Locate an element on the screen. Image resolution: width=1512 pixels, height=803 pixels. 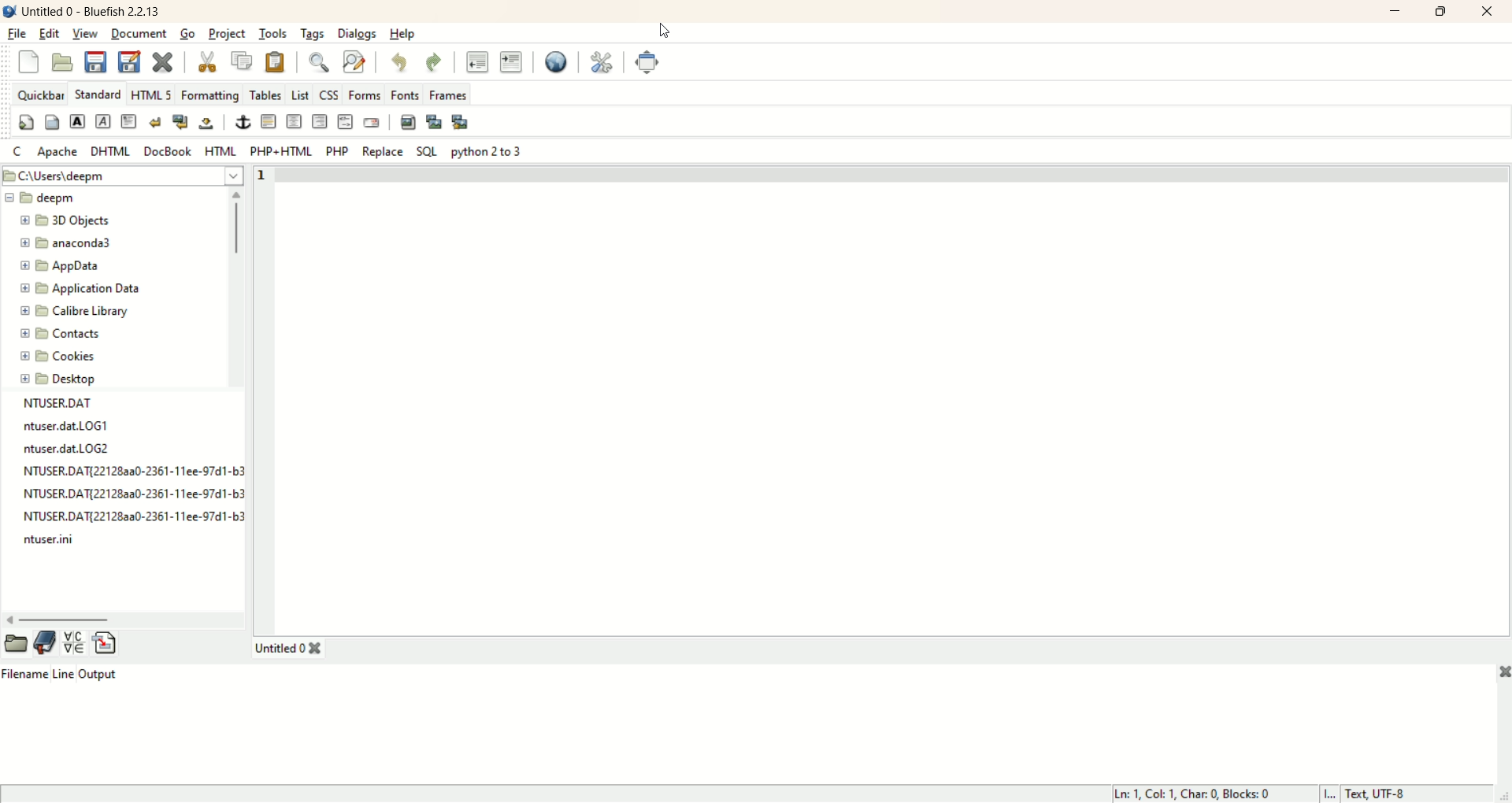
advance find and replace is located at coordinates (352, 61).